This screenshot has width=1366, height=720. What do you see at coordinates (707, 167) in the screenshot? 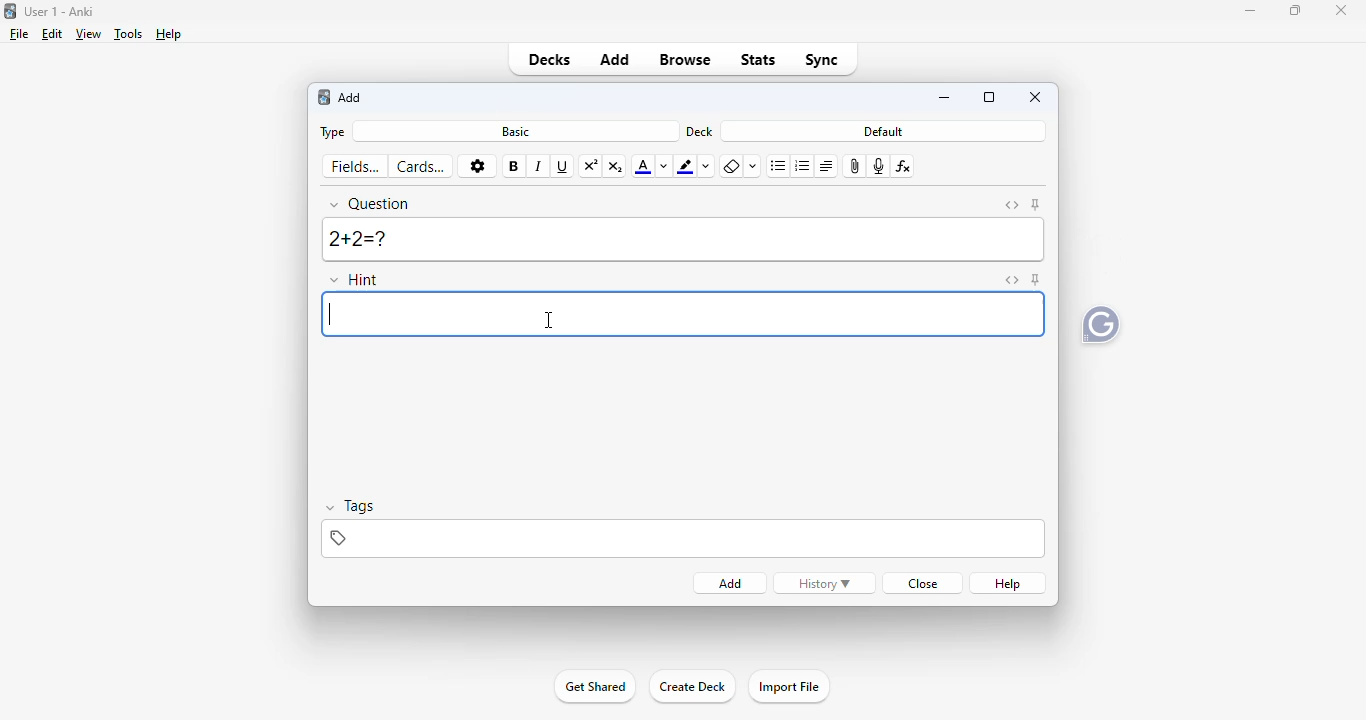
I see `change color` at bounding box center [707, 167].